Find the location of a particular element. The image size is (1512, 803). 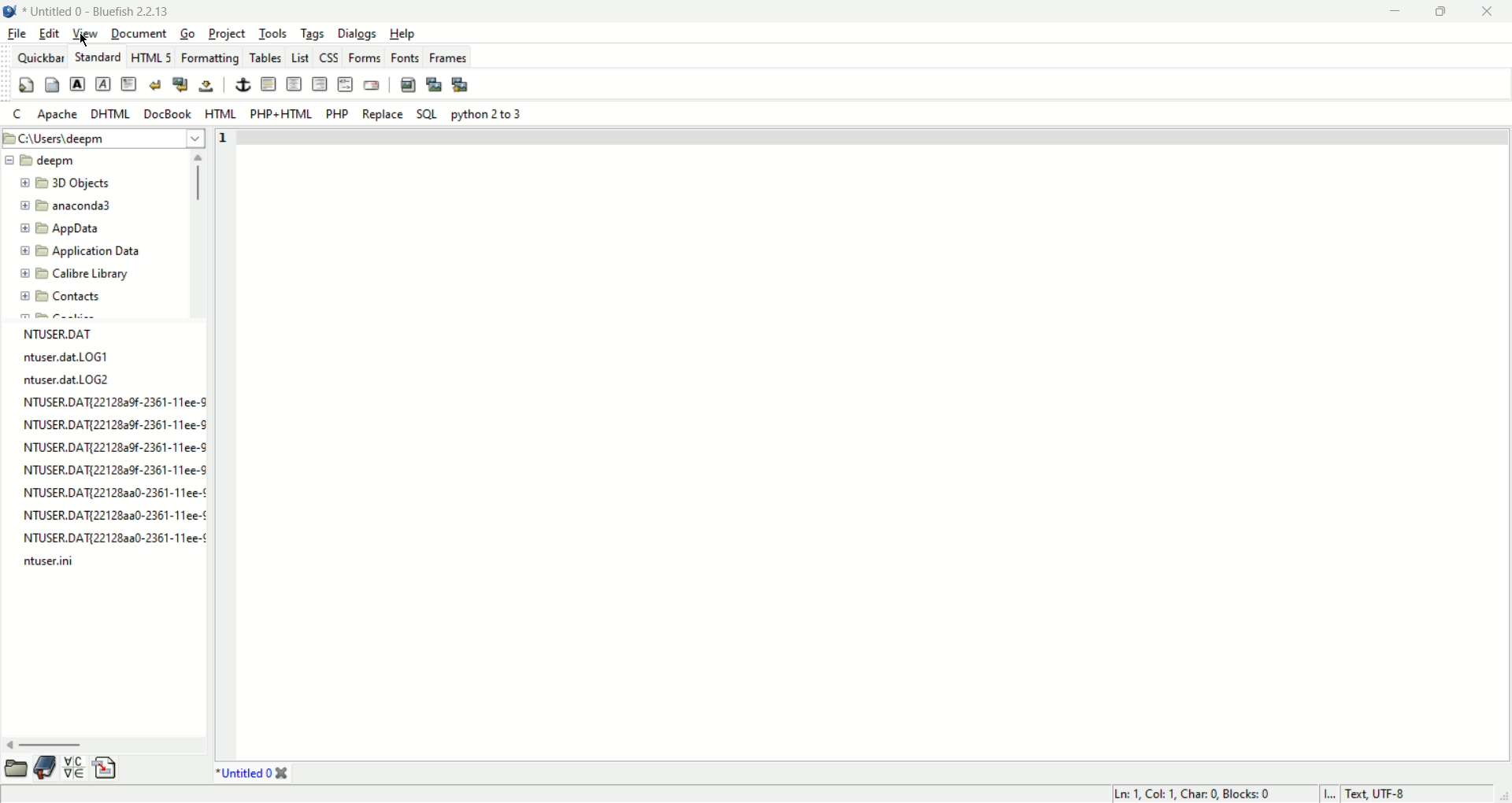

strong is located at coordinates (78, 84).